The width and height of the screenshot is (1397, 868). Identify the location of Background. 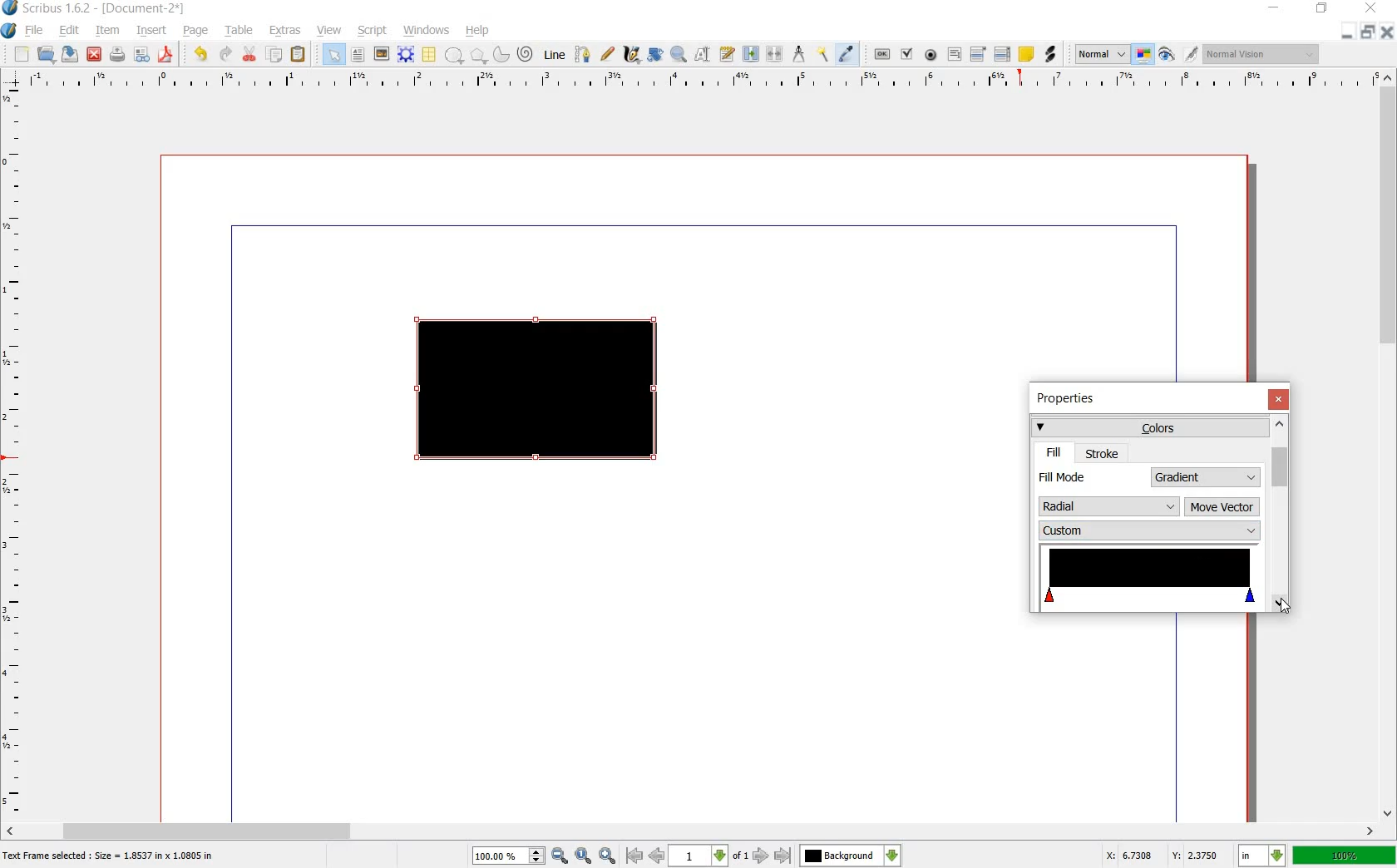
(851, 856).